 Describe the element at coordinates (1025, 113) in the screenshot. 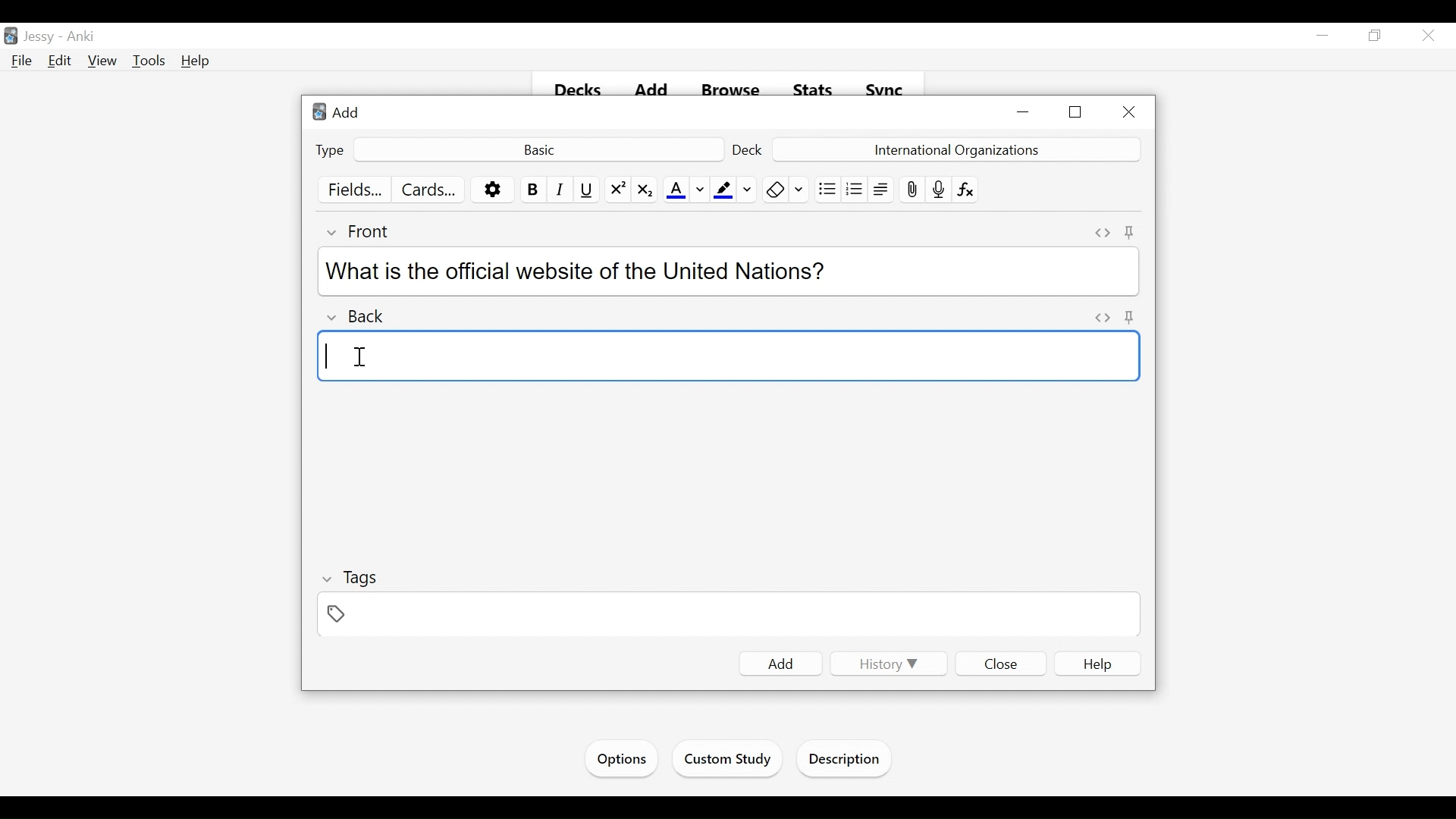

I see `minimize` at that location.